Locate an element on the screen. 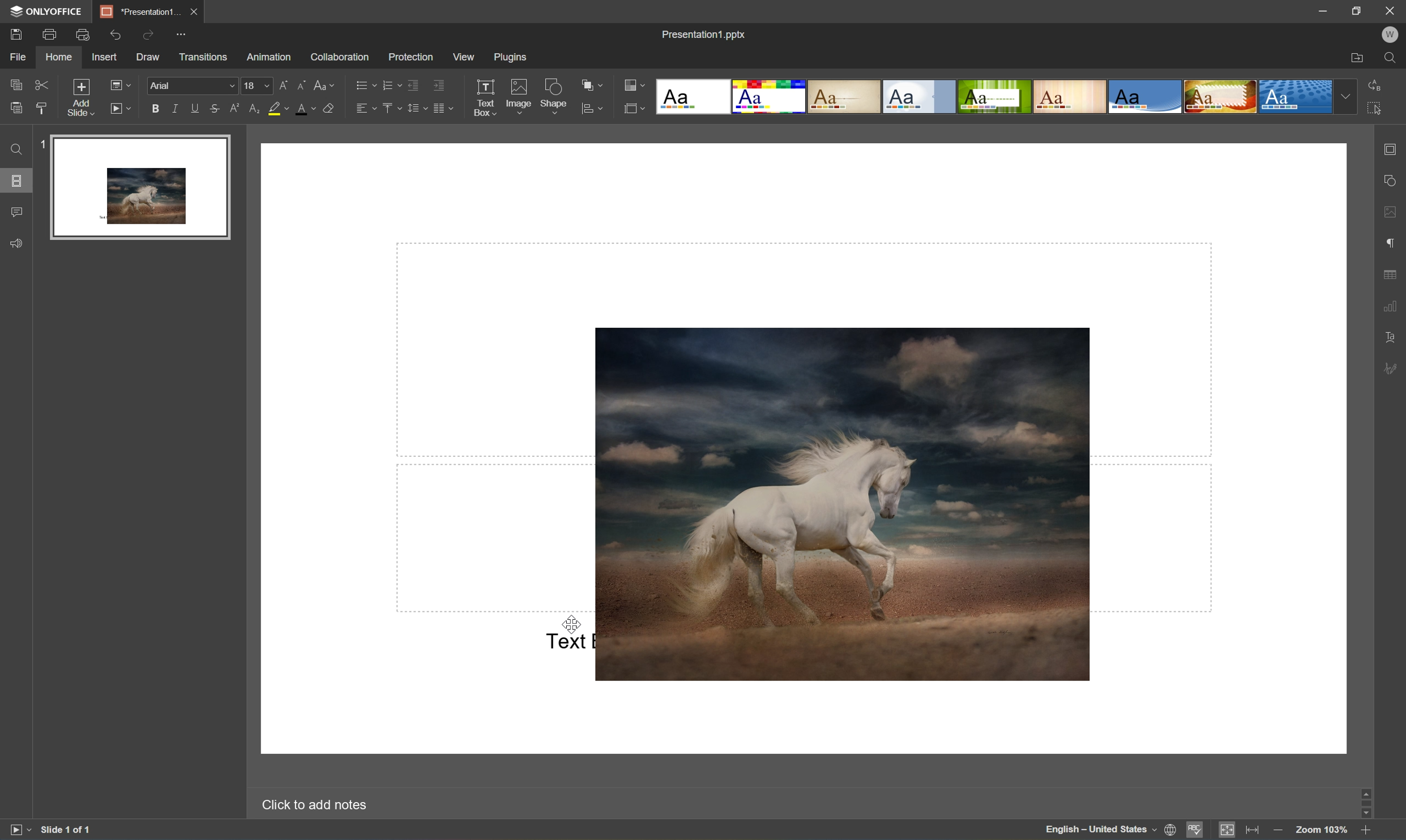 The width and height of the screenshot is (1406, 840). Protection is located at coordinates (411, 57).